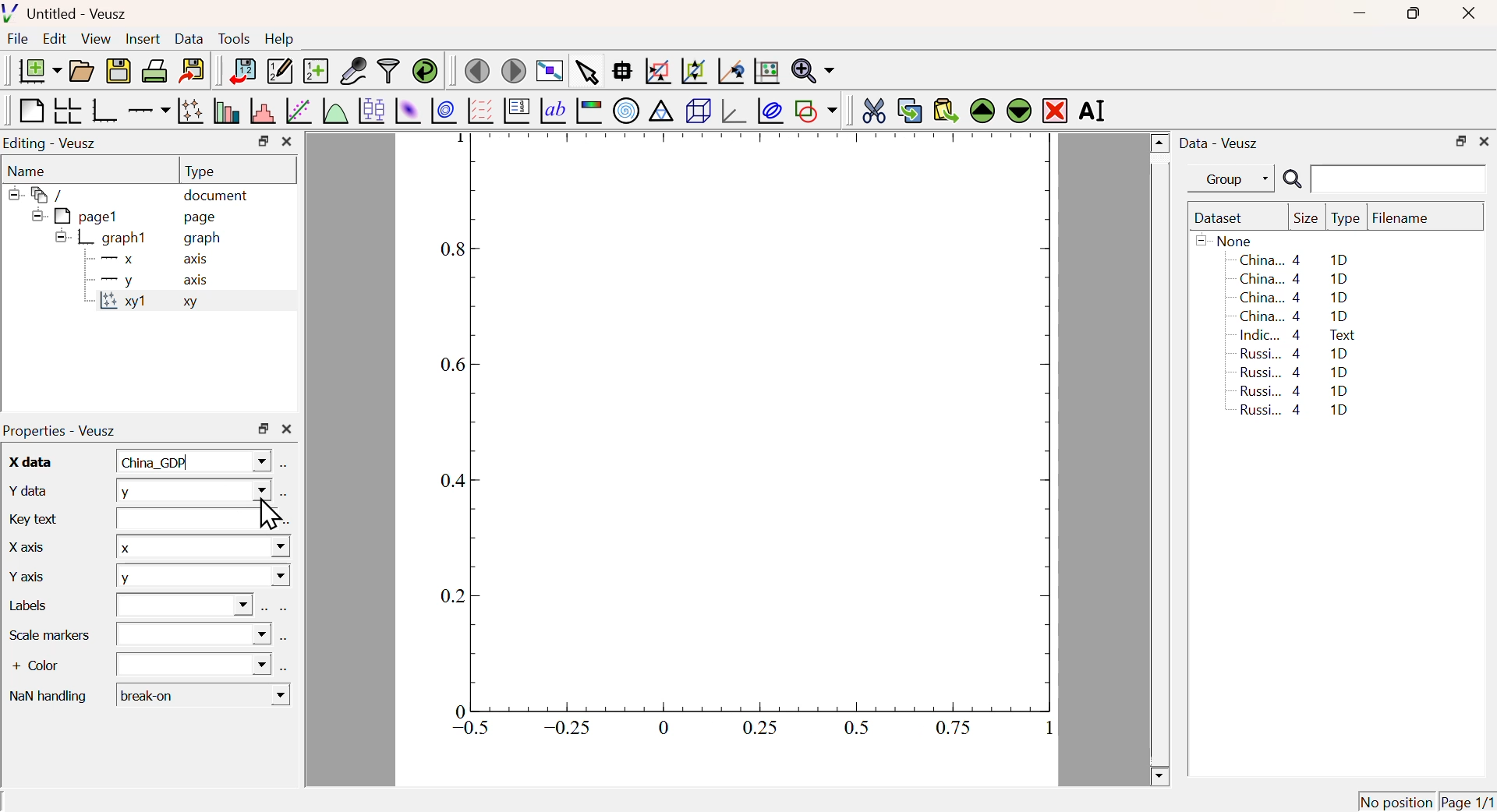  Describe the element at coordinates (660, 110) in the screenshot. I see `Ternary Graph` at that location.